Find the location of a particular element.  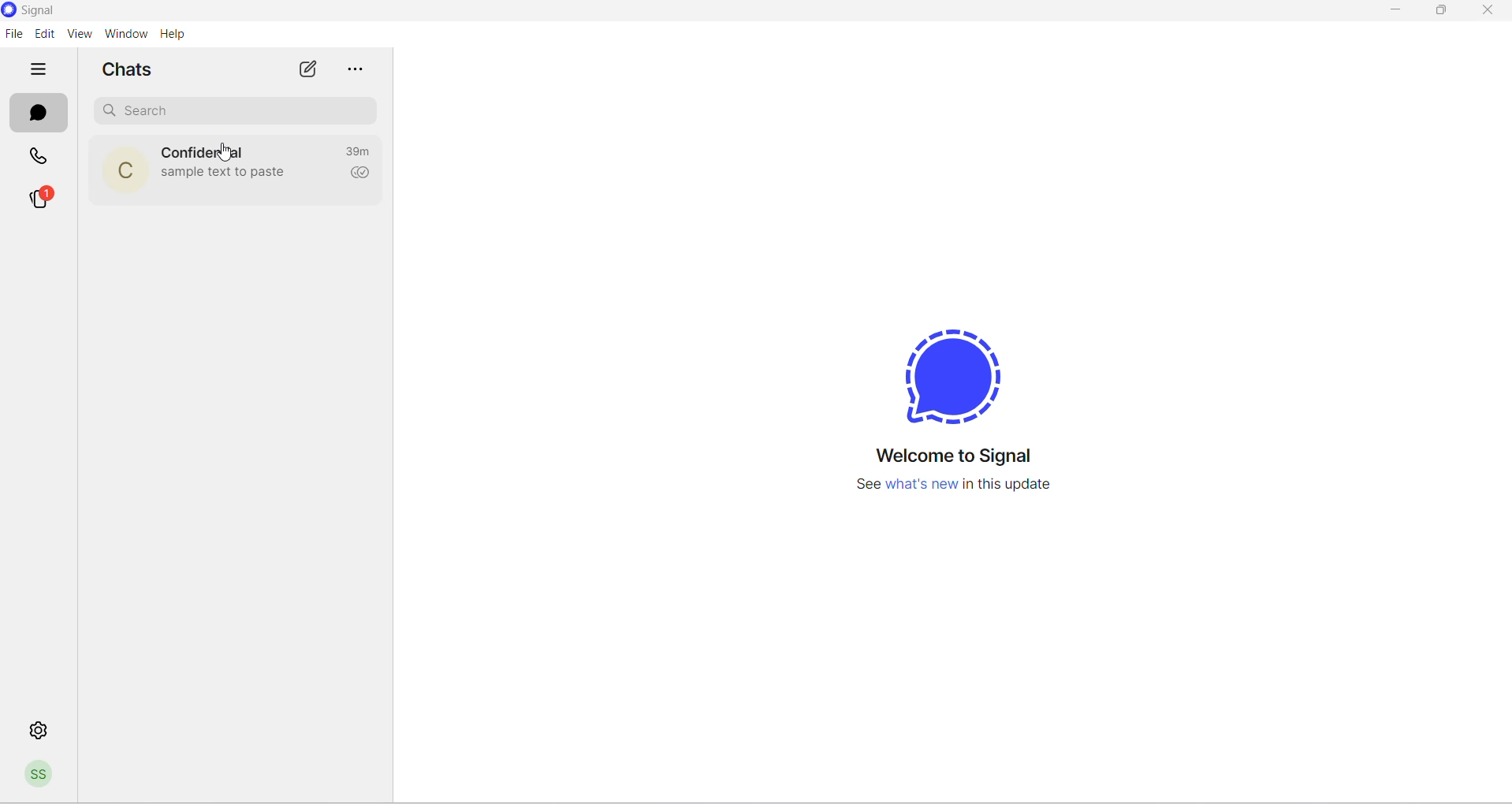

last message is located at coordinates (225, 176).